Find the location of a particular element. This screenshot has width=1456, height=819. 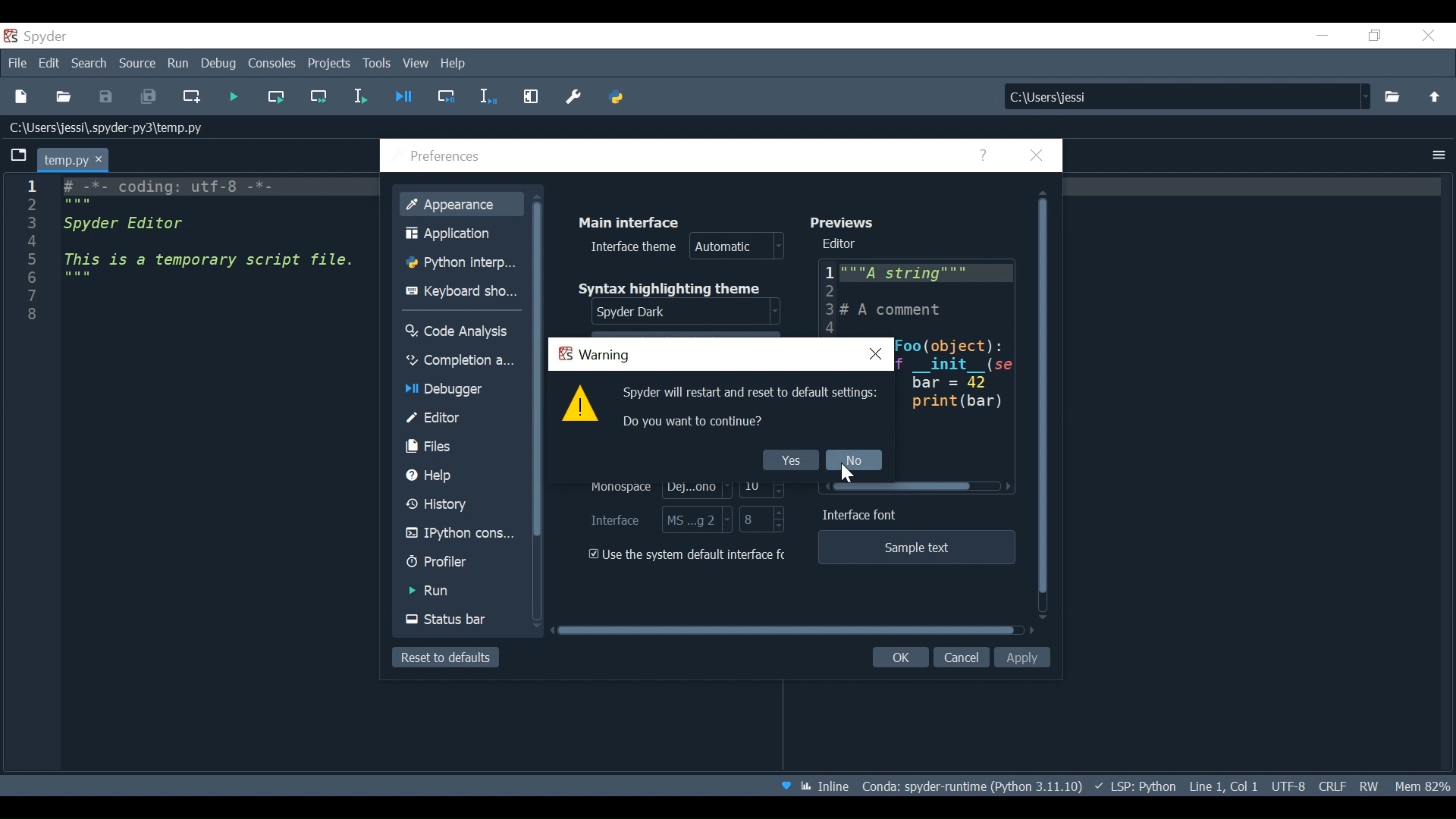

Horizontal scroll bar is located at coordinates (786, 629).